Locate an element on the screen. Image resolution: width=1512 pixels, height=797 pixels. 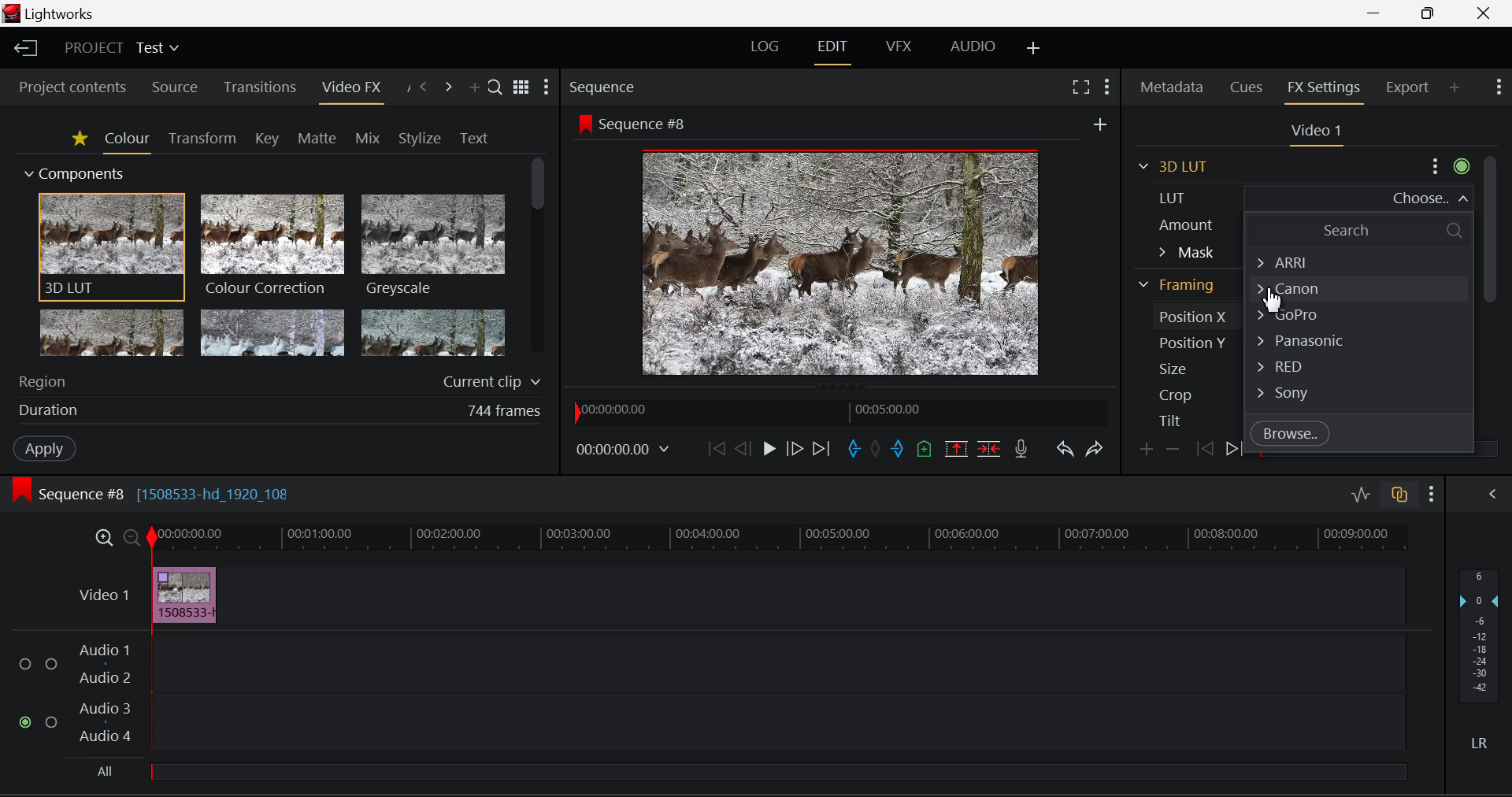
Mark In is located at coordinates (854, 450).